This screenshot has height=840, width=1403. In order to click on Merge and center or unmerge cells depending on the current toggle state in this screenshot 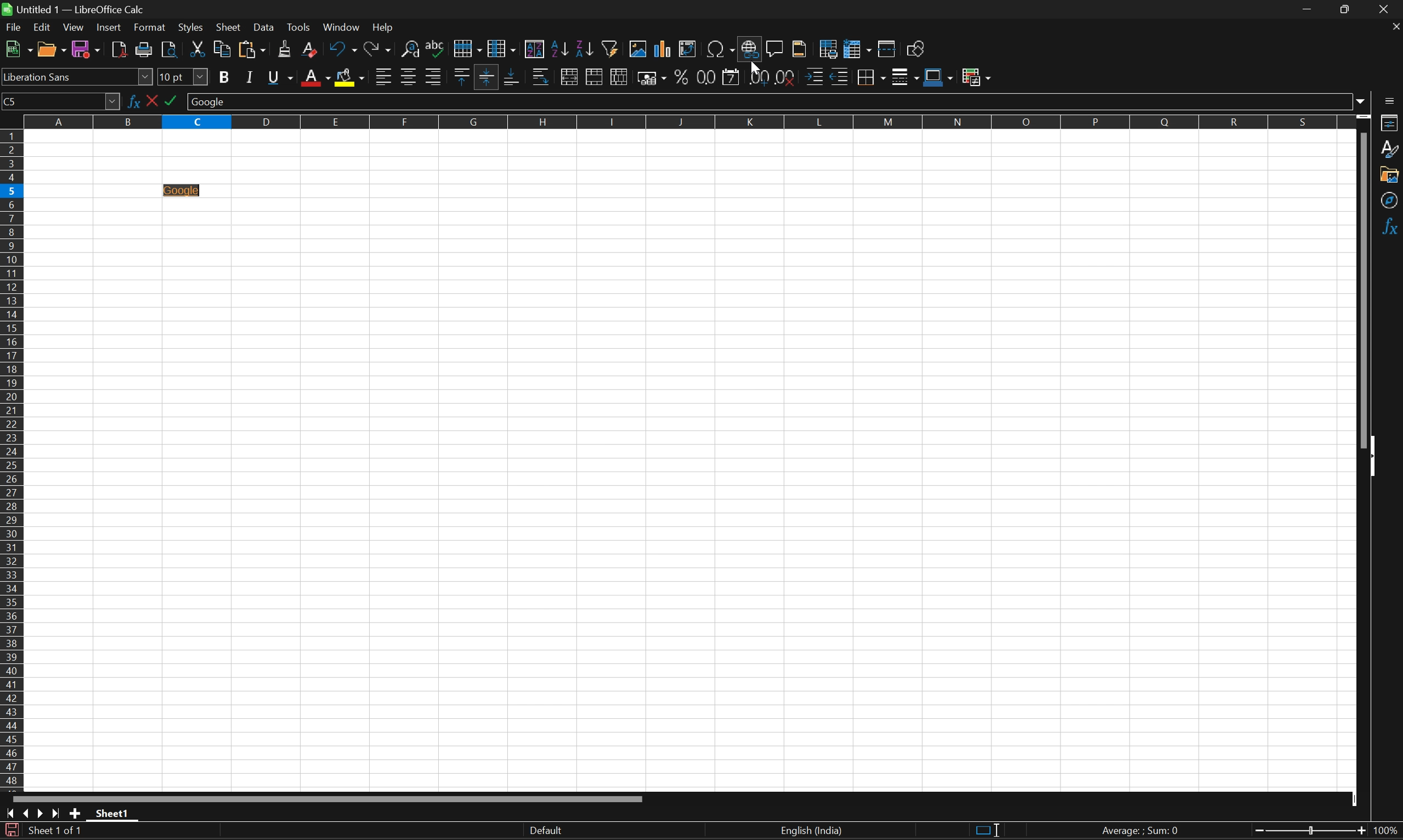, I will do `click(572, 76)`.